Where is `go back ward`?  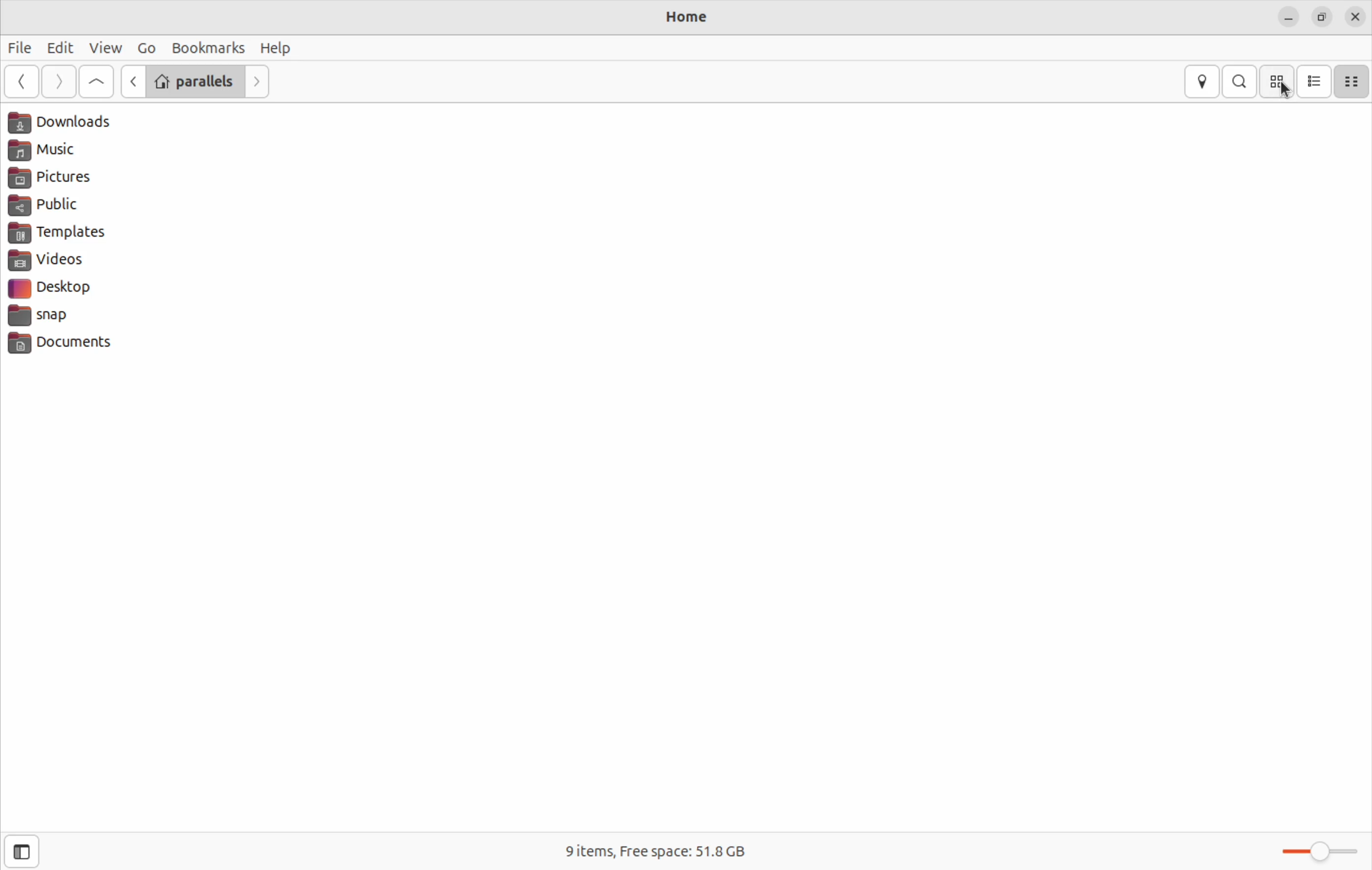
go back ward is located at coordinates (23, 82).